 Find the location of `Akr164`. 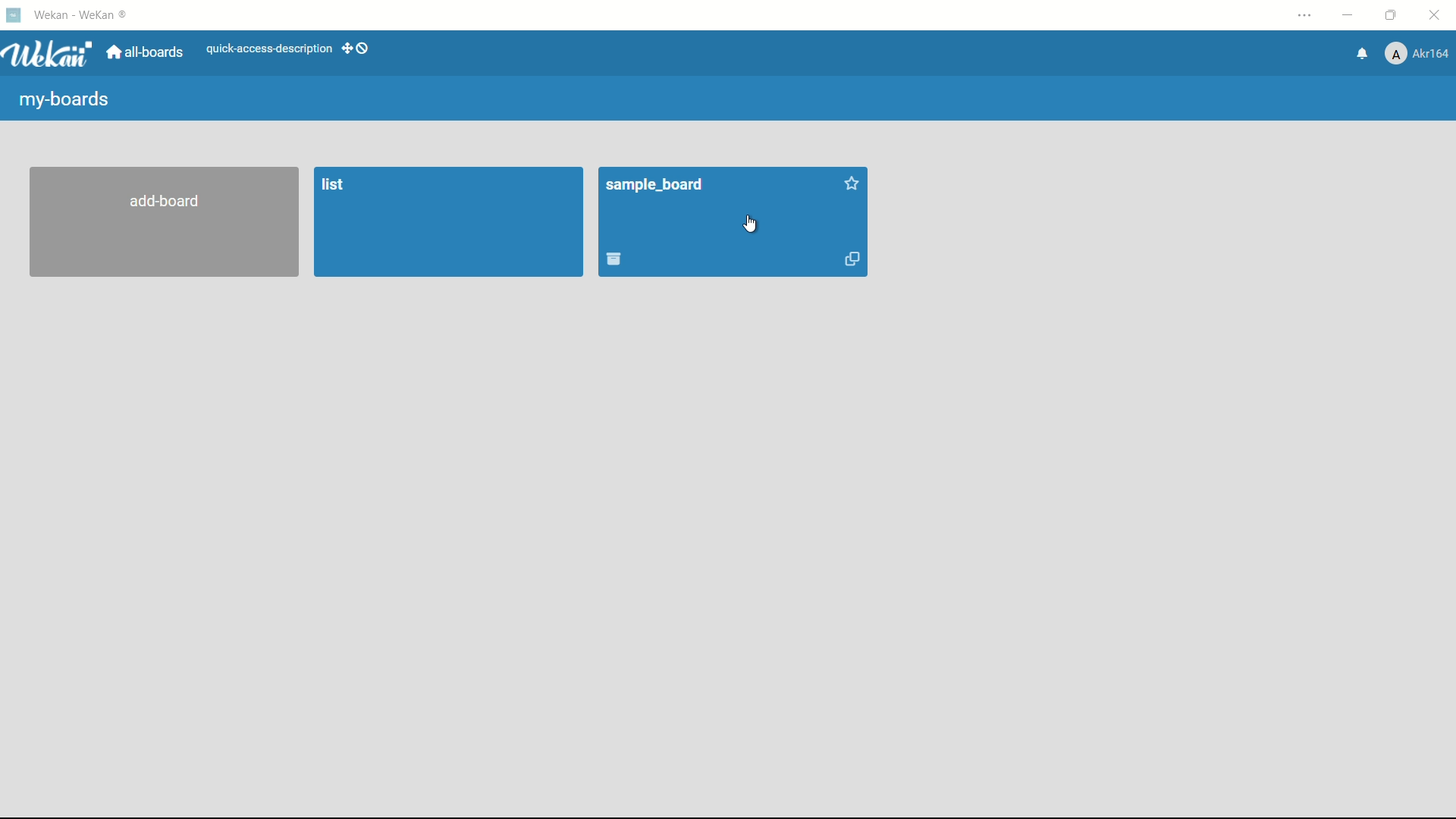

Akr164 is located at coordinates (1420, 56).